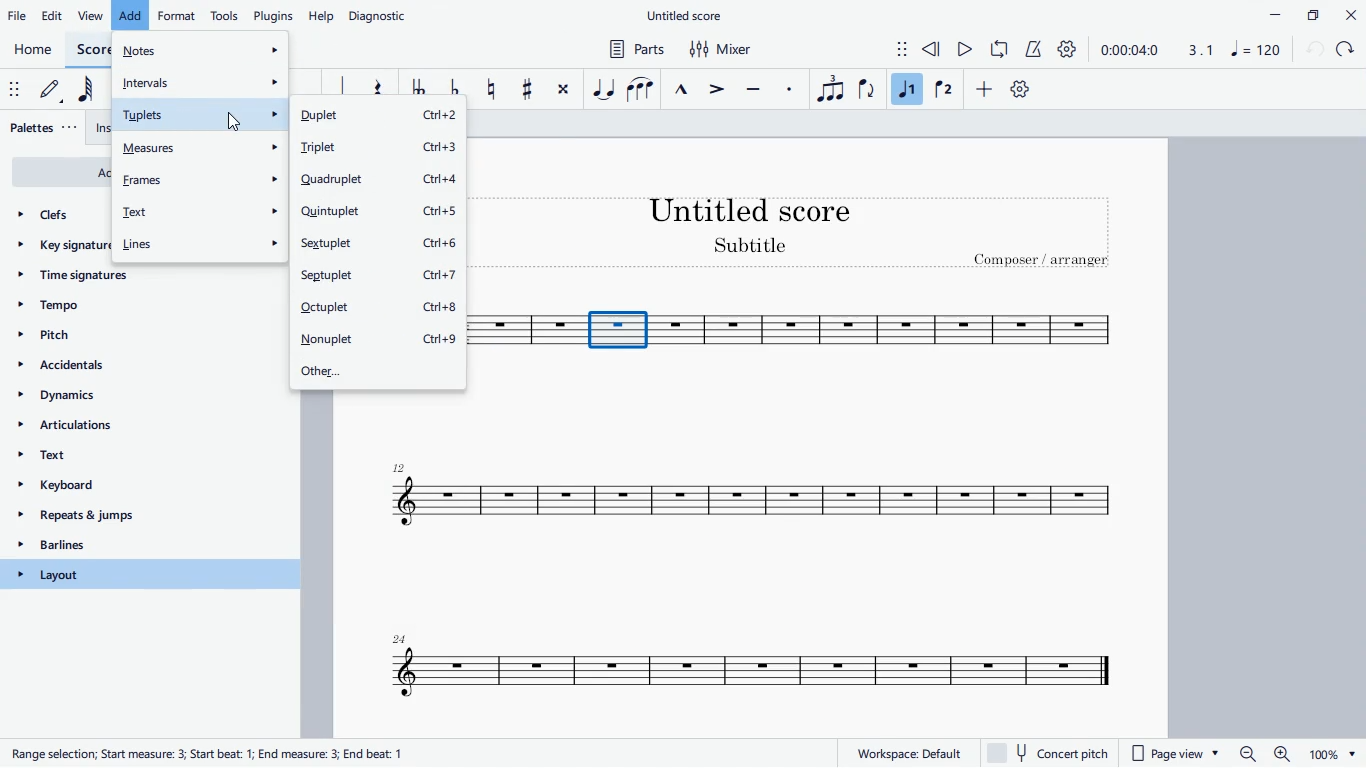 The width and height of the screenshot is (1366, 768). I want to click on selected note, so click(618, 329).